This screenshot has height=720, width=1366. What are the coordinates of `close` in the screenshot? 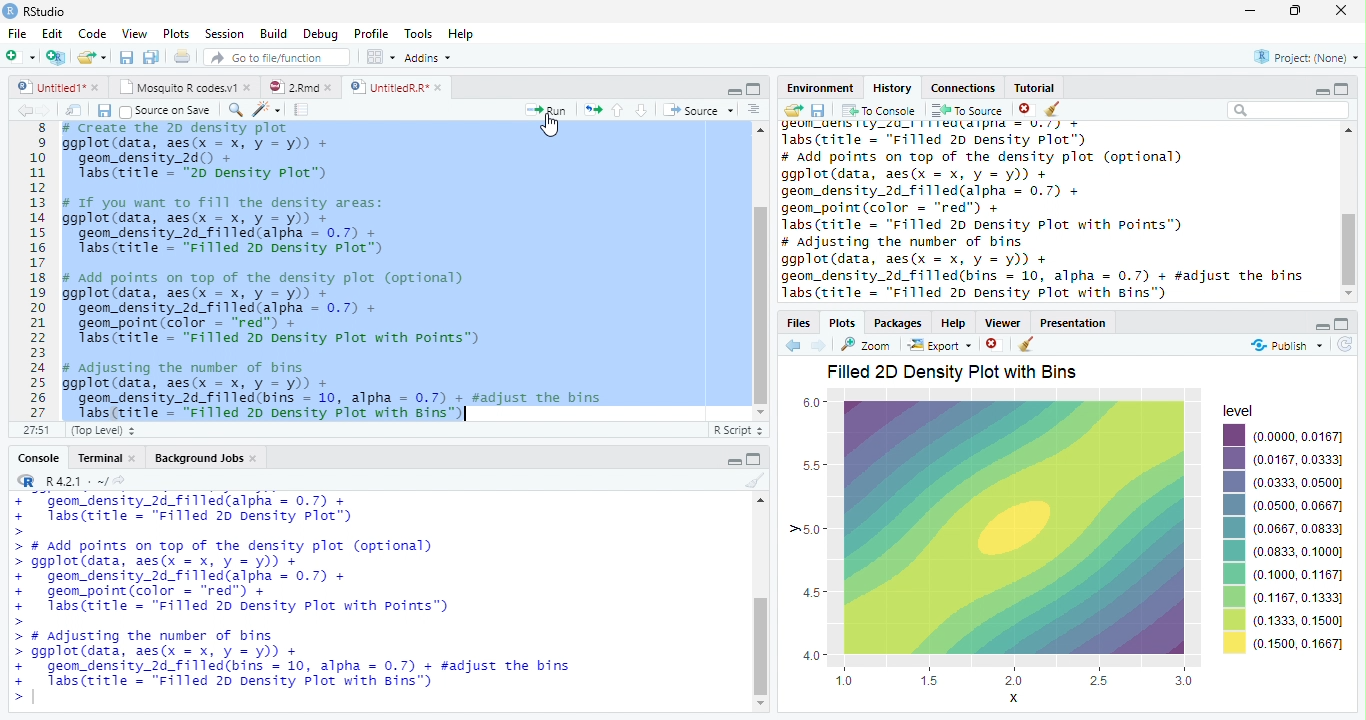 It's located at (256, 460).